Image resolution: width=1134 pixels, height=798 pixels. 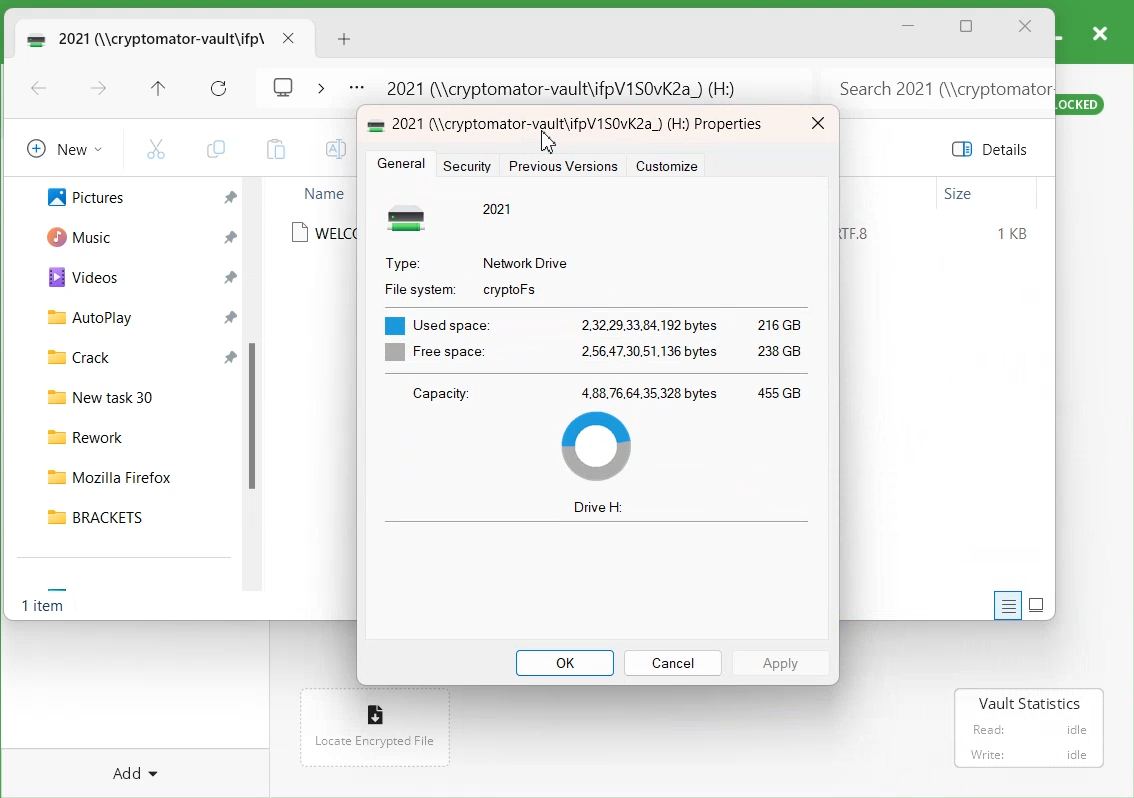 I want to click on cursor, so click(x=551, y=139).